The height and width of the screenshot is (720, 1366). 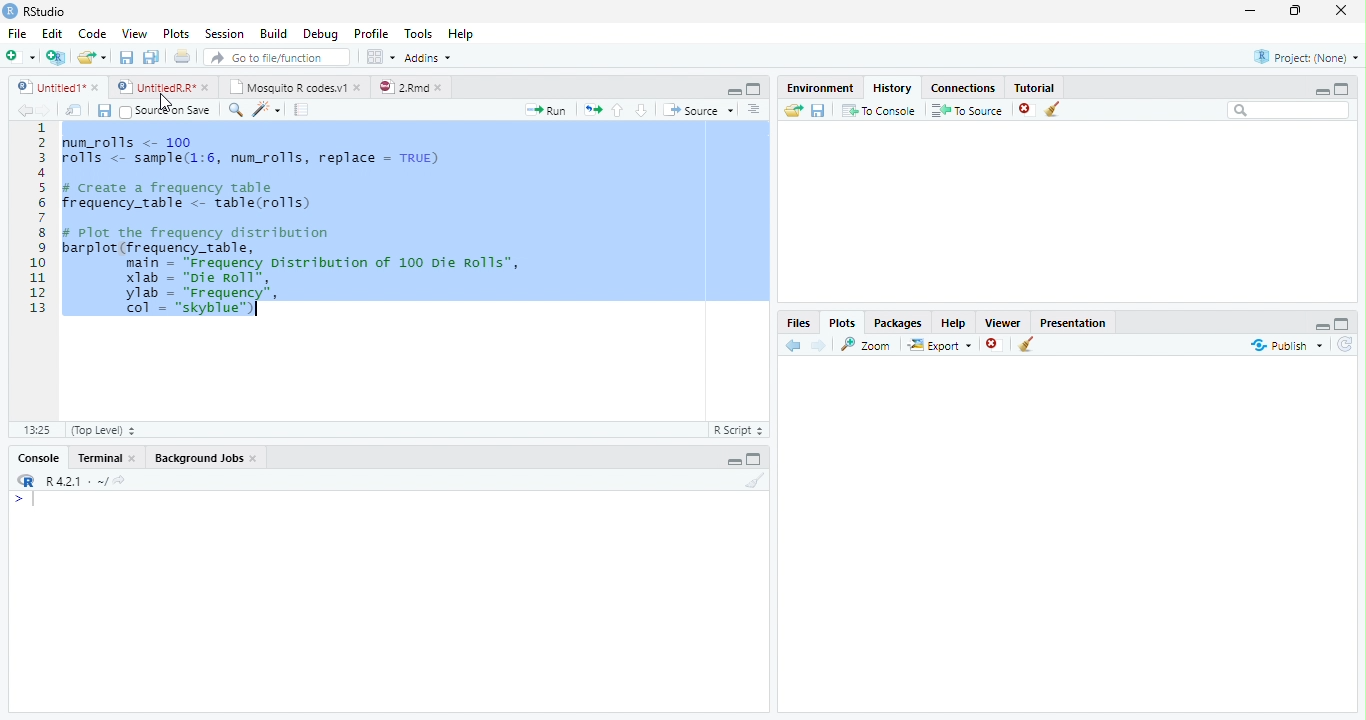 What do you see at coordinates (57, 87) in the screenshot?
I see `Ungitied1*` at bounding box center [57, 87].